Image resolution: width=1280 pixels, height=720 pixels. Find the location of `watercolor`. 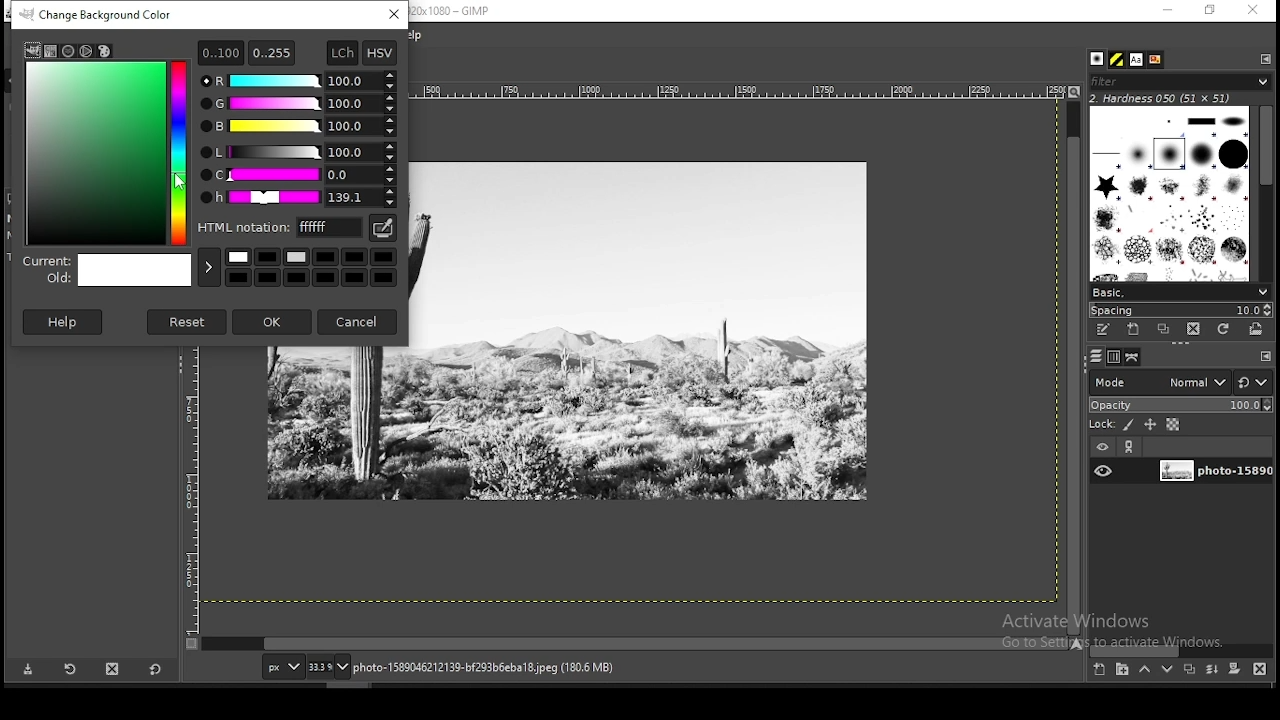

watercolor is located at coordinates (70, 51).